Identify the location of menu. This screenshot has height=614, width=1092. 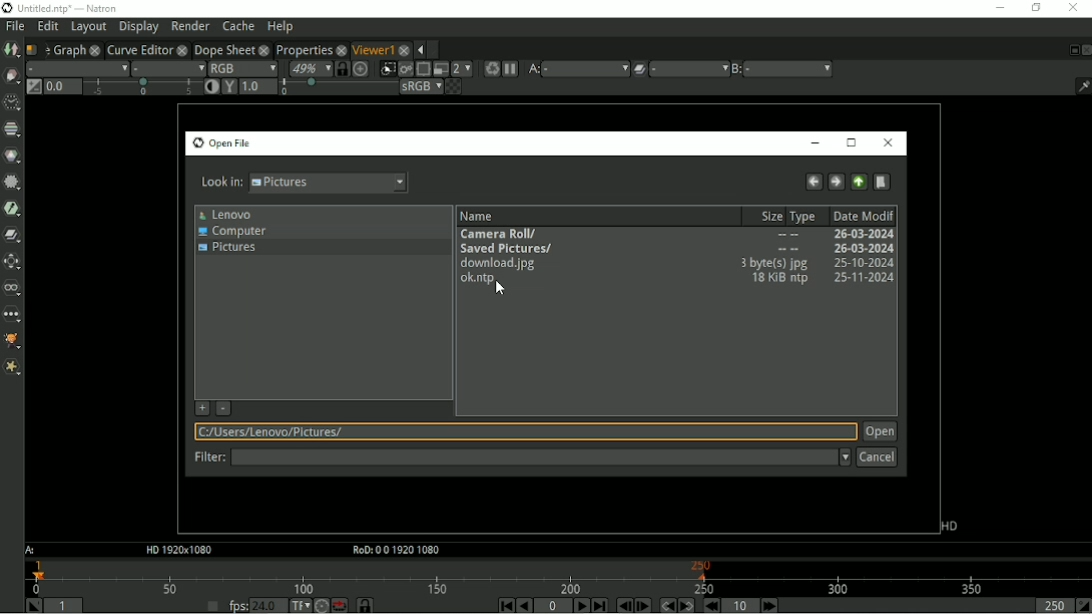
(689, 69).